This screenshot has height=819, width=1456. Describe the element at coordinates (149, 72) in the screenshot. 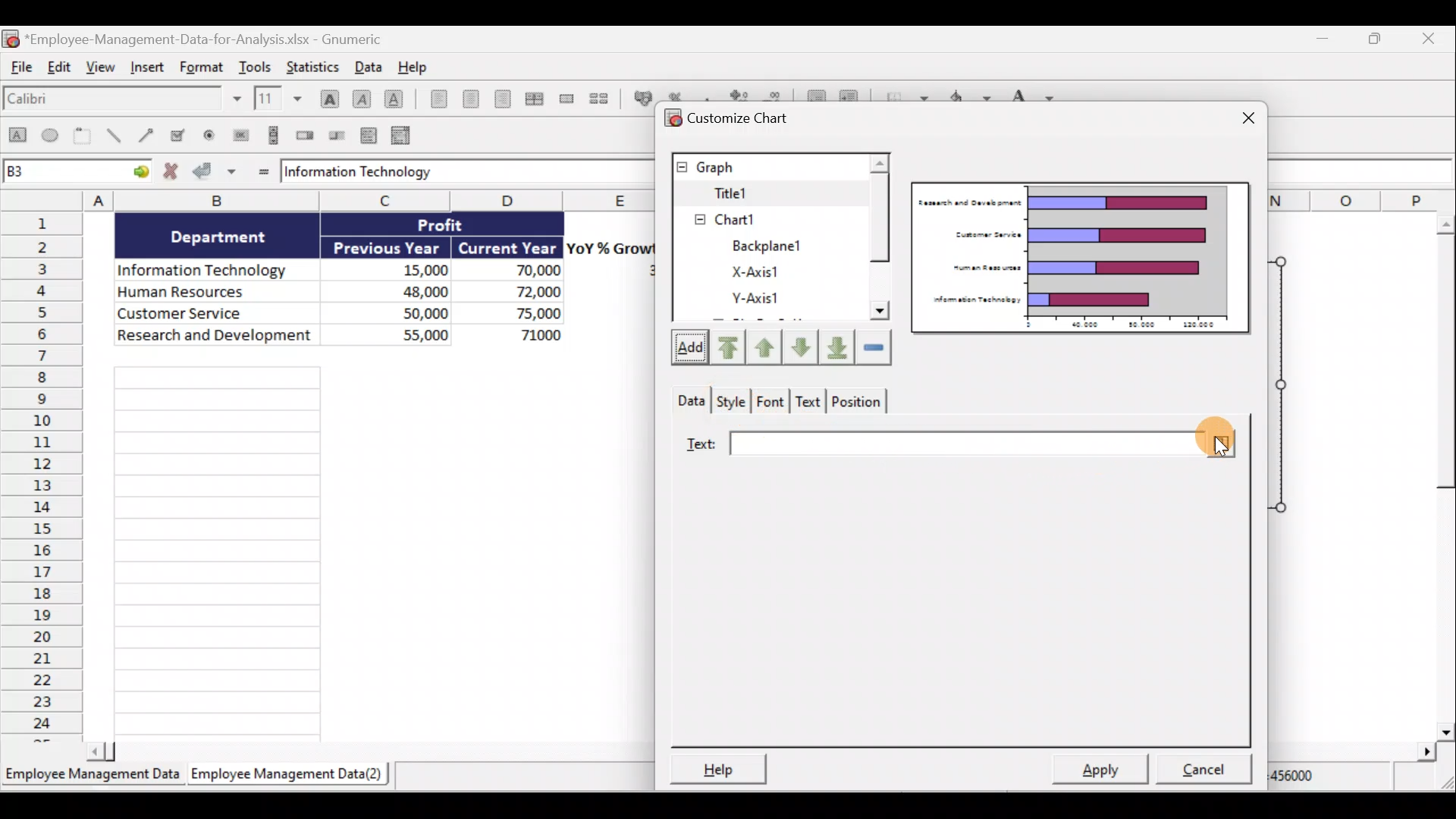

I see `Insert` at that location.